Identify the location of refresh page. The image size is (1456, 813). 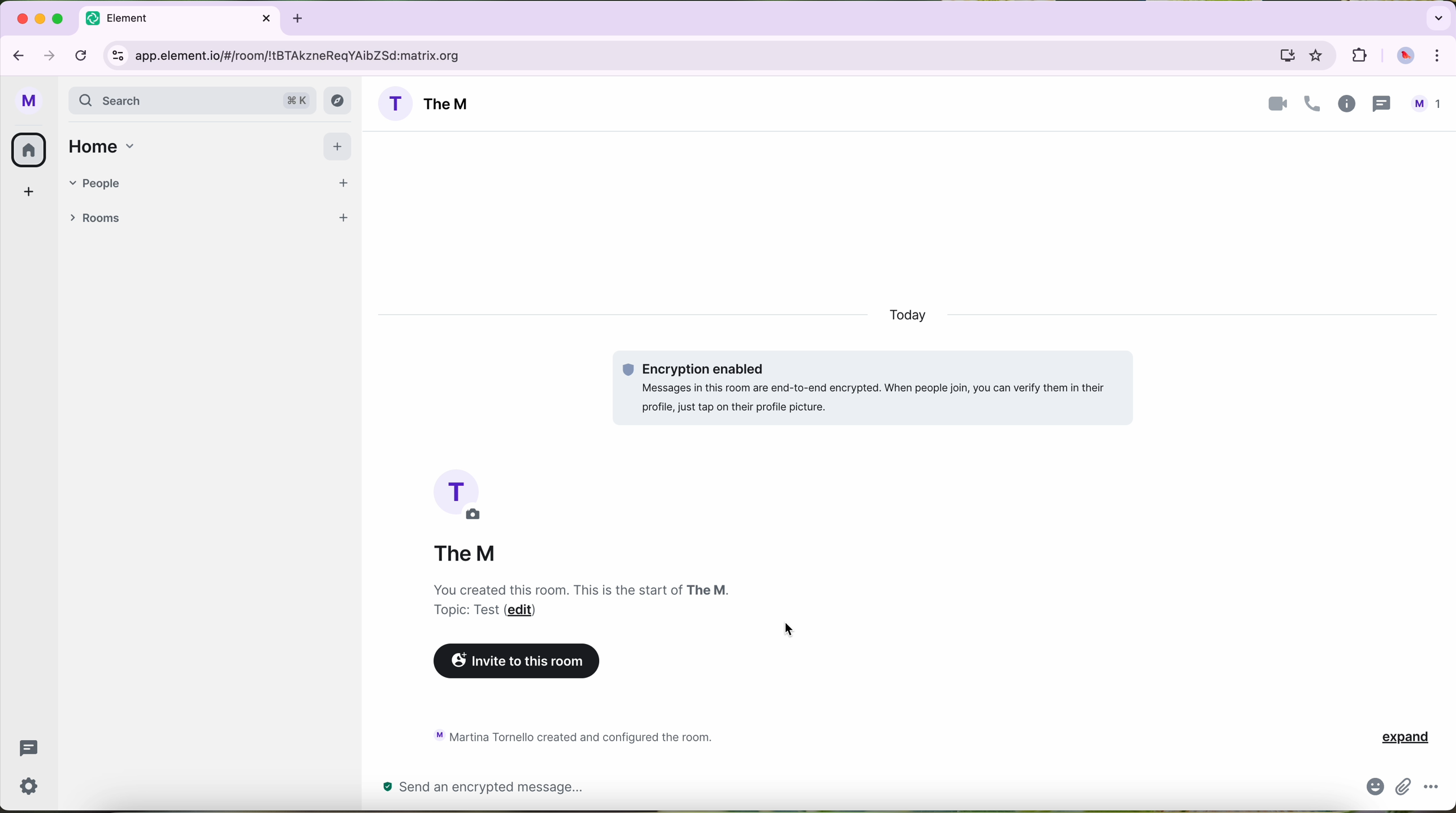
(82, 54).